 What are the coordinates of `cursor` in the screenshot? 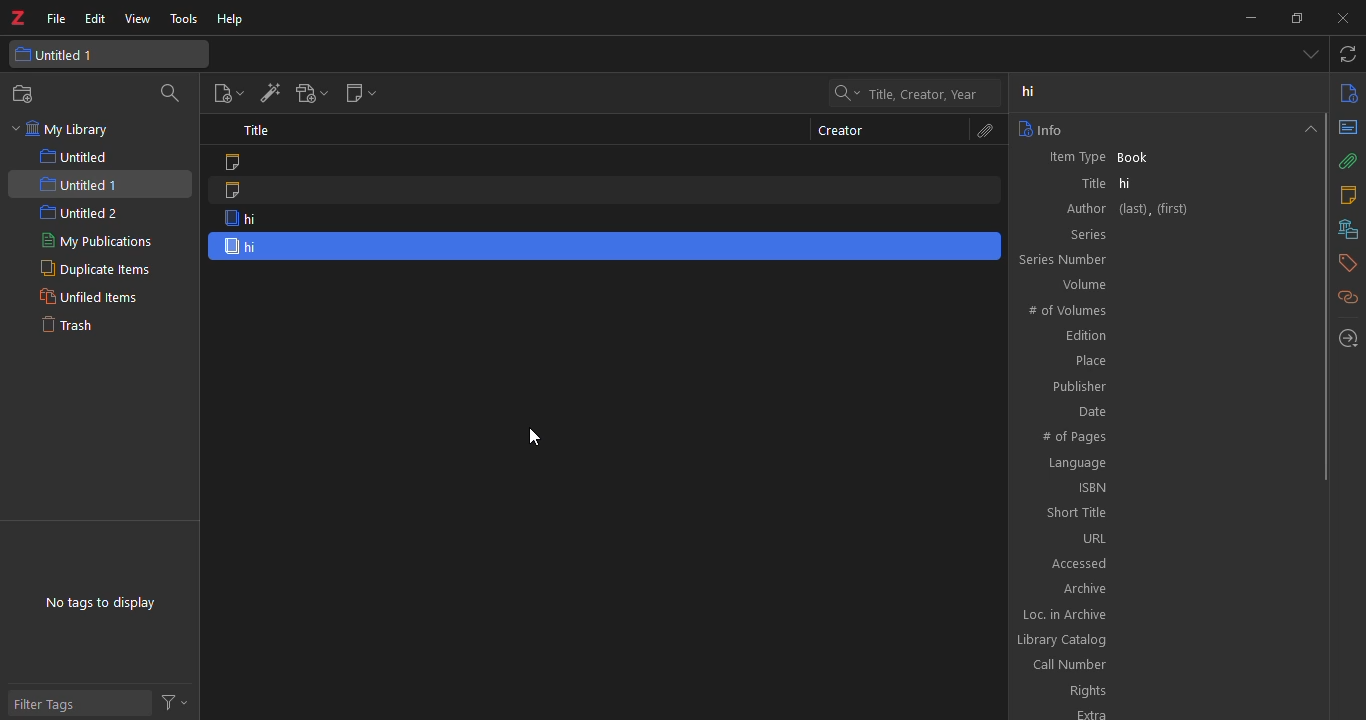 It's located at (534, 437).